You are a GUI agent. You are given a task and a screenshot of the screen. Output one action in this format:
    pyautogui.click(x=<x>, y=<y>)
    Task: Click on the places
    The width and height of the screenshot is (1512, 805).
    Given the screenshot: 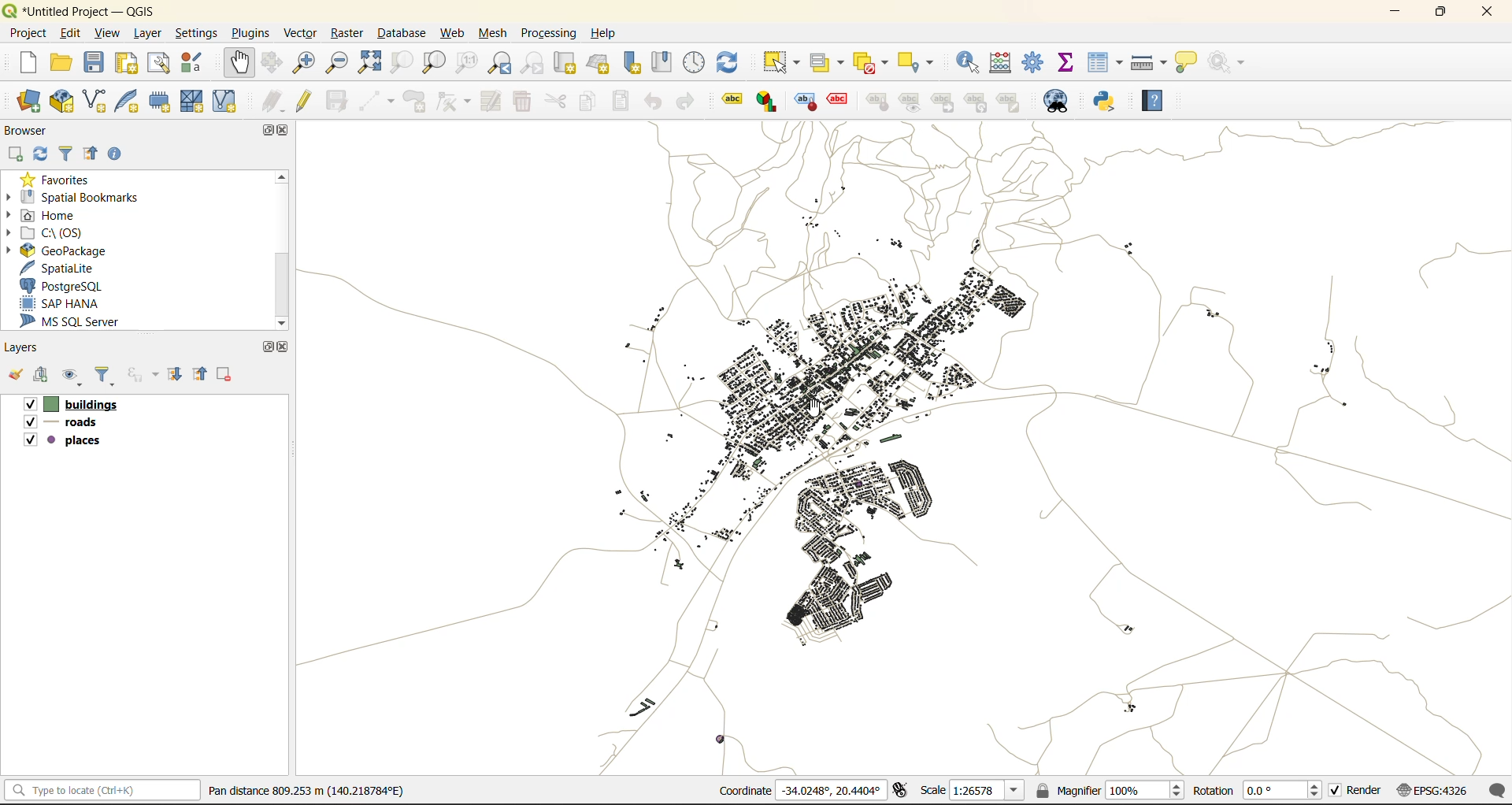 What is the action you would take?
    pyautogui.click(x=66, y=442)
    